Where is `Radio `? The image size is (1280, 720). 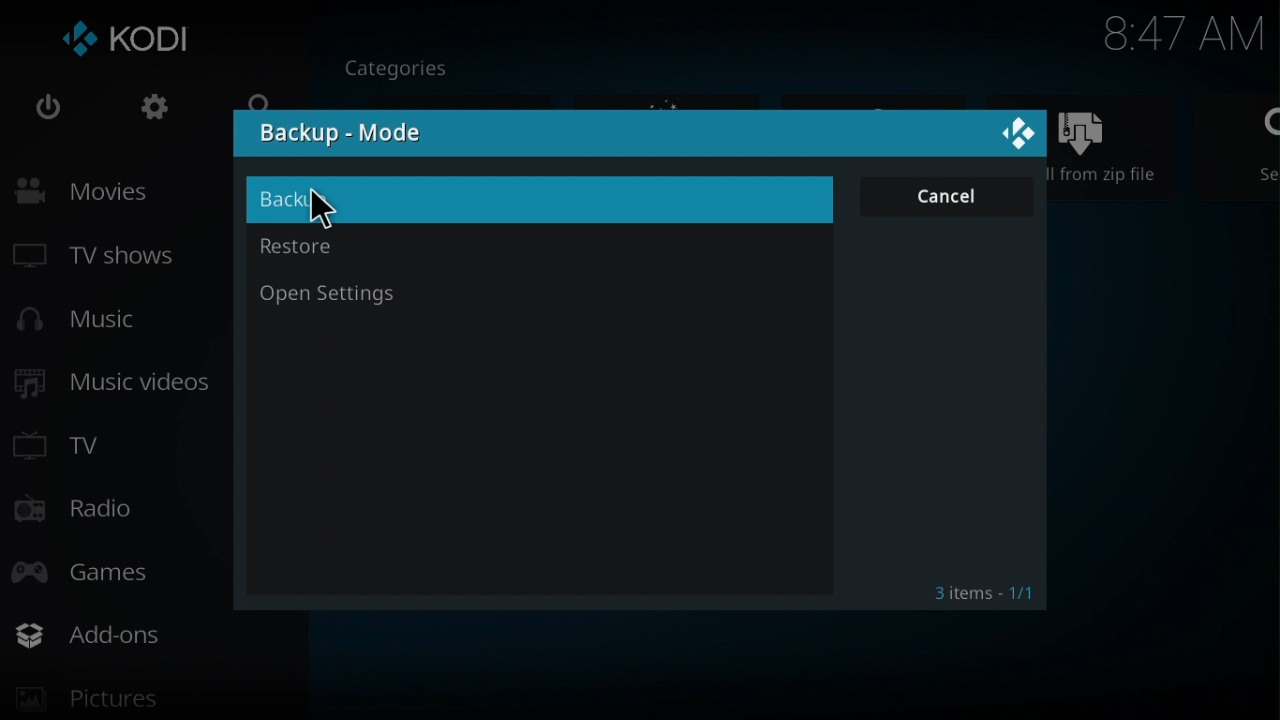
Radio  is located at coordinates (81, 512).